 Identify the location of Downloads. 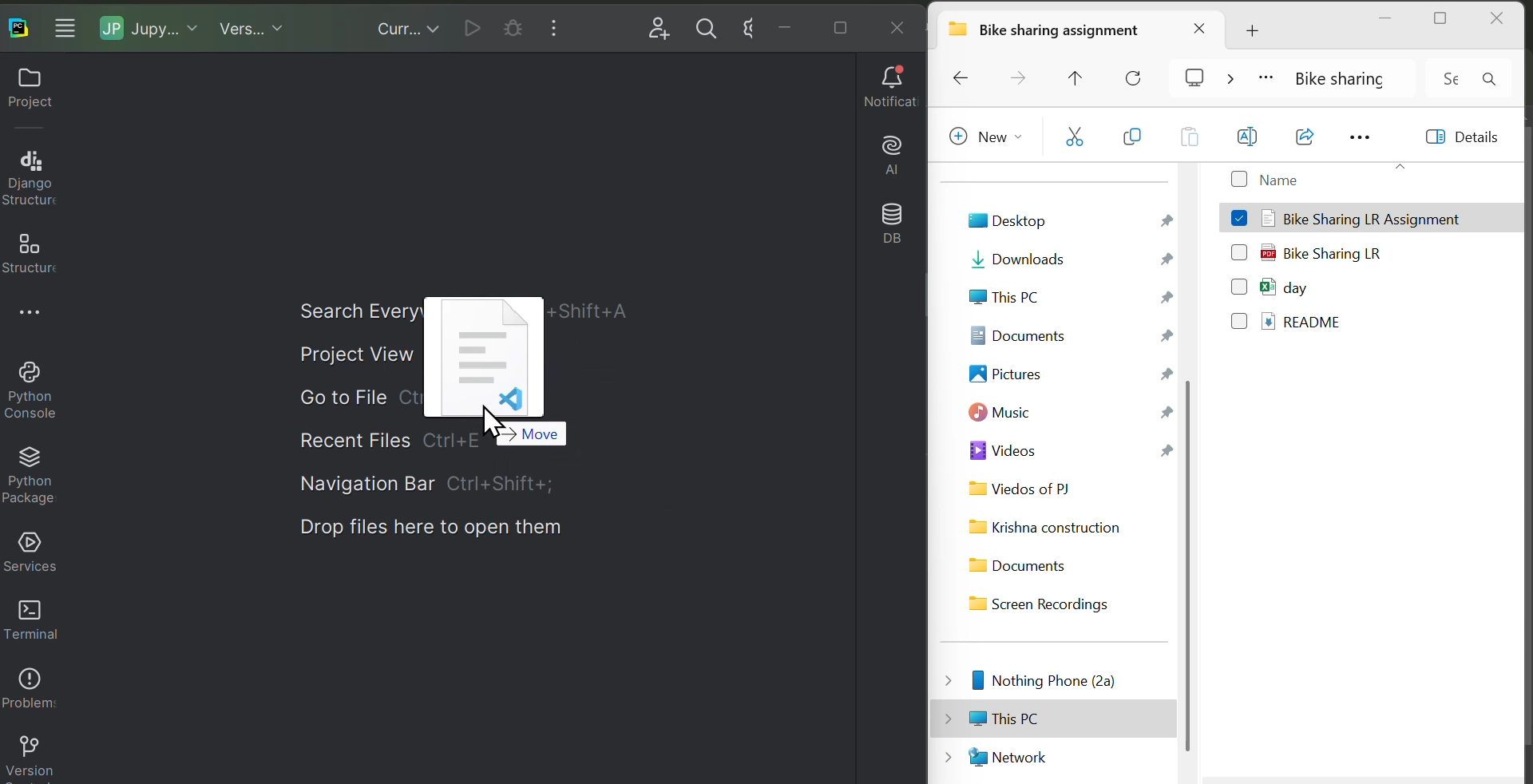
(1066, 264).